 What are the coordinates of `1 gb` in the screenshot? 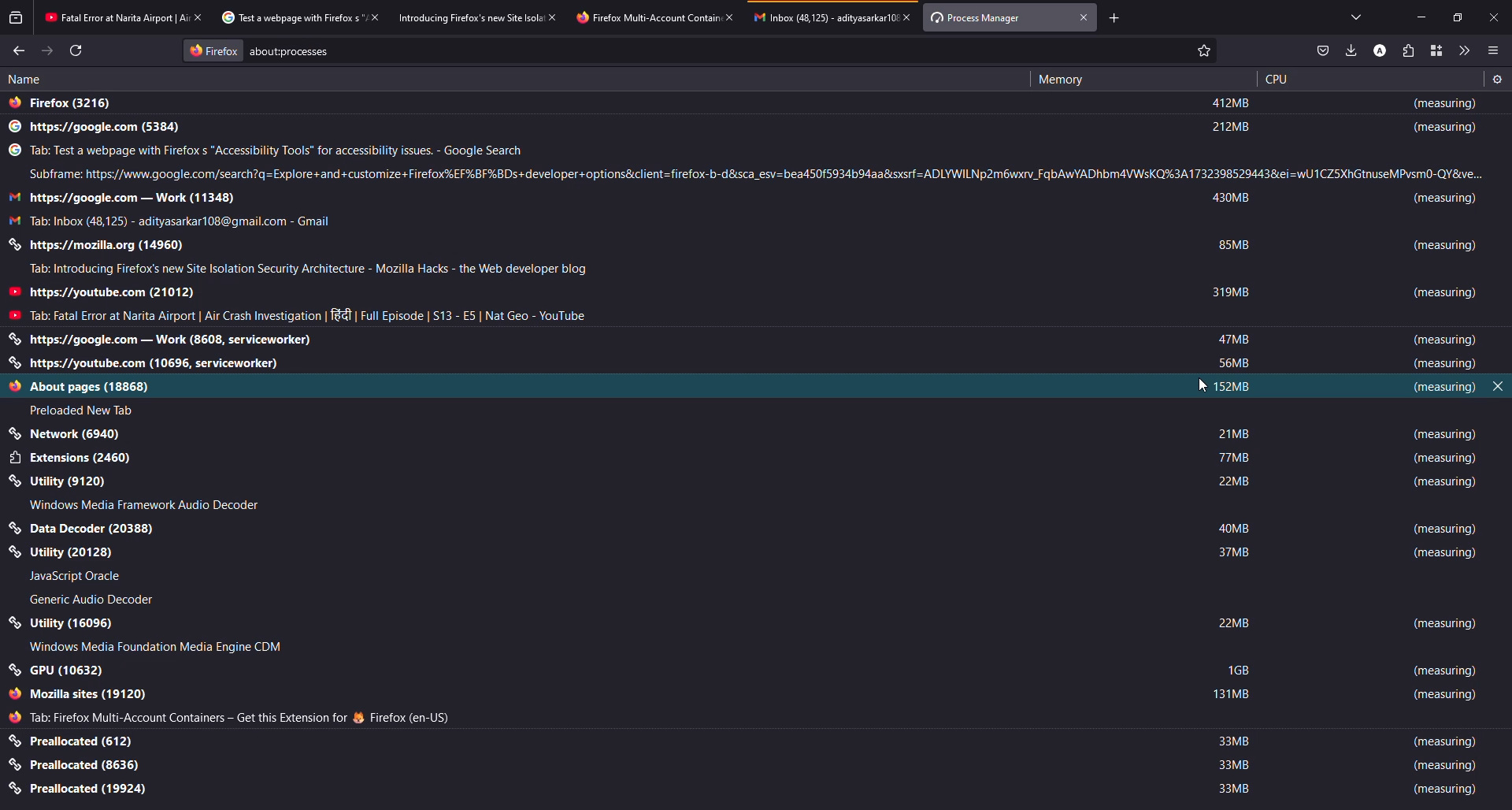 It's located at (1235, 671).